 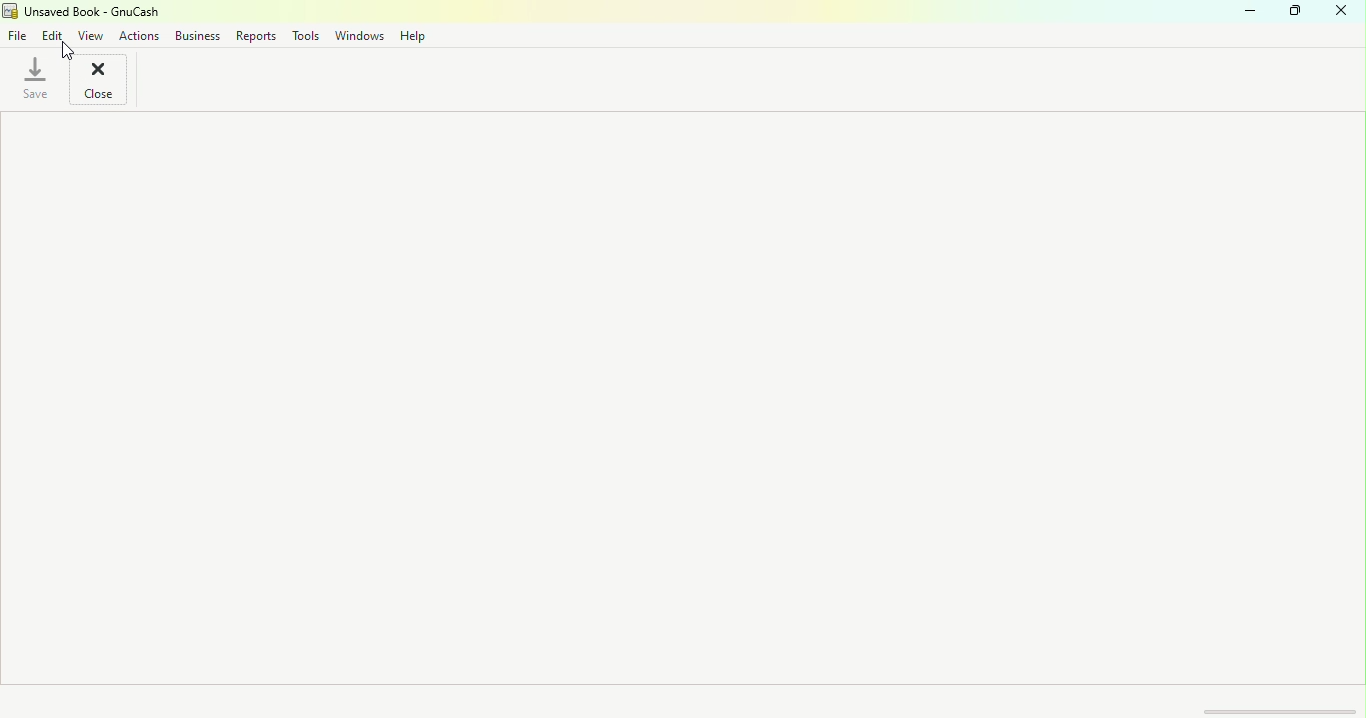 What do you see at coordinates (137, 34) in the screenshot?
I see `Actions` at bounding box center [137, 34].